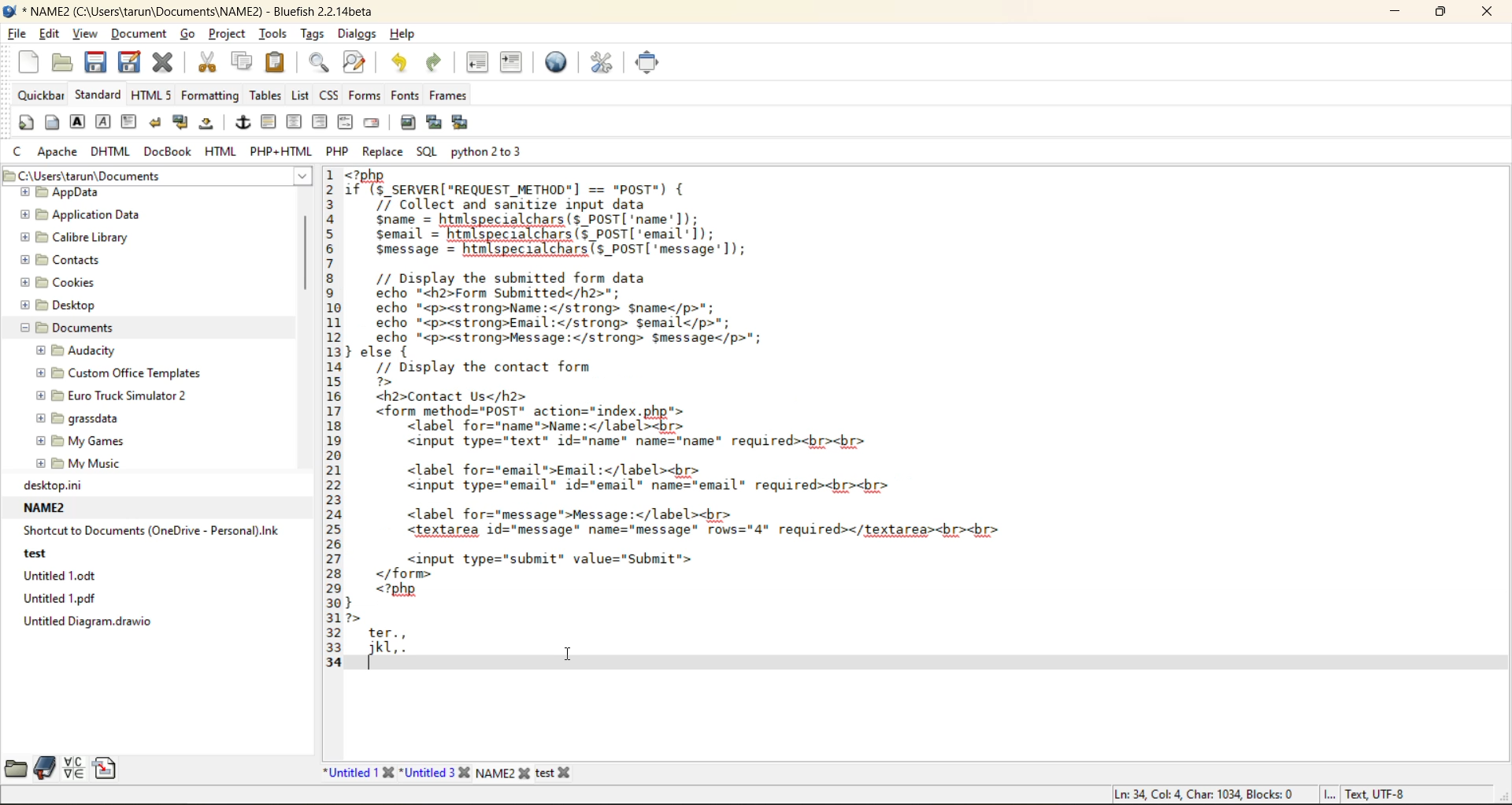 The image size is (1512, 805). I want to click on quickstart, so click(24, 123).